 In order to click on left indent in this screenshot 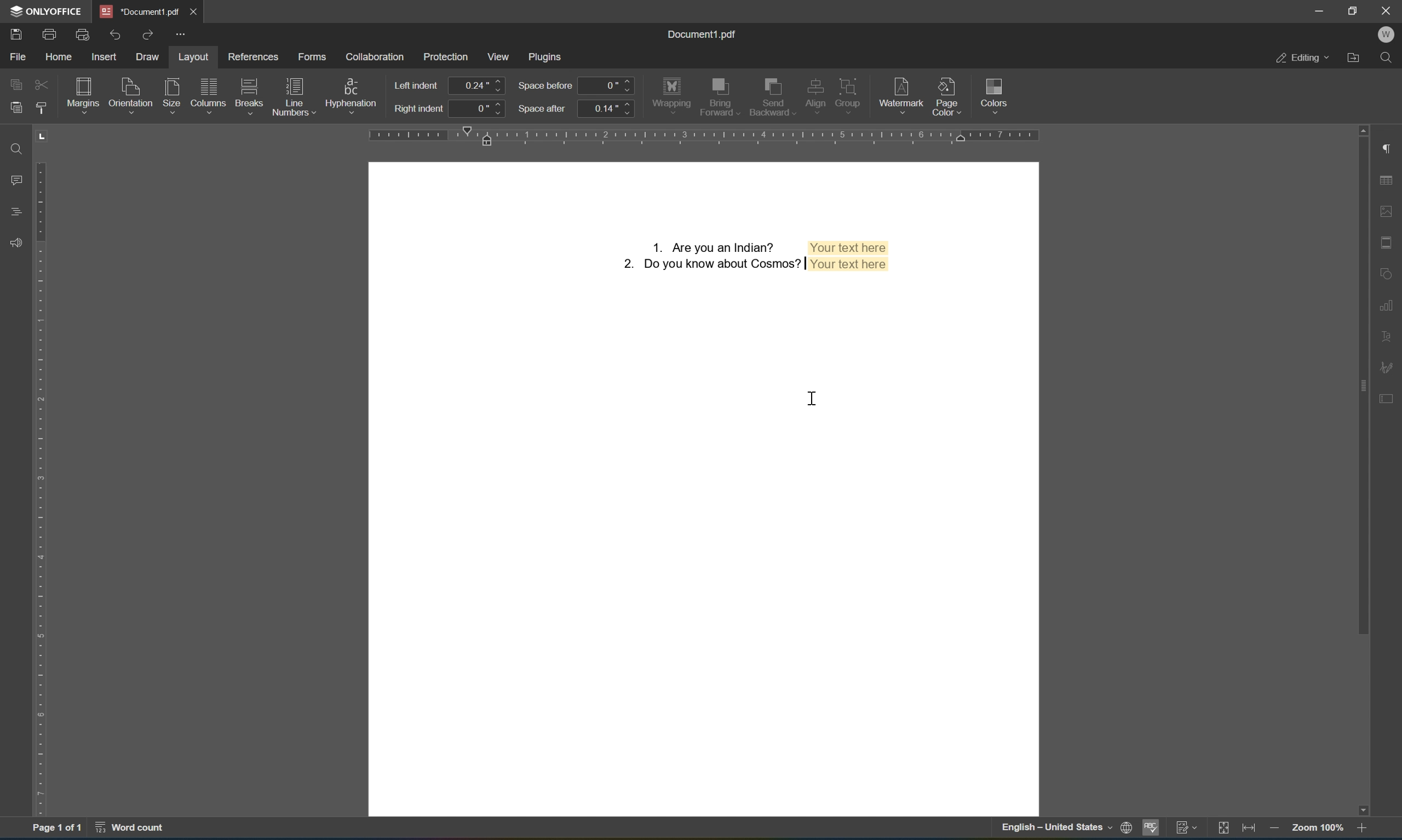, I will do `click(417, 85)`.